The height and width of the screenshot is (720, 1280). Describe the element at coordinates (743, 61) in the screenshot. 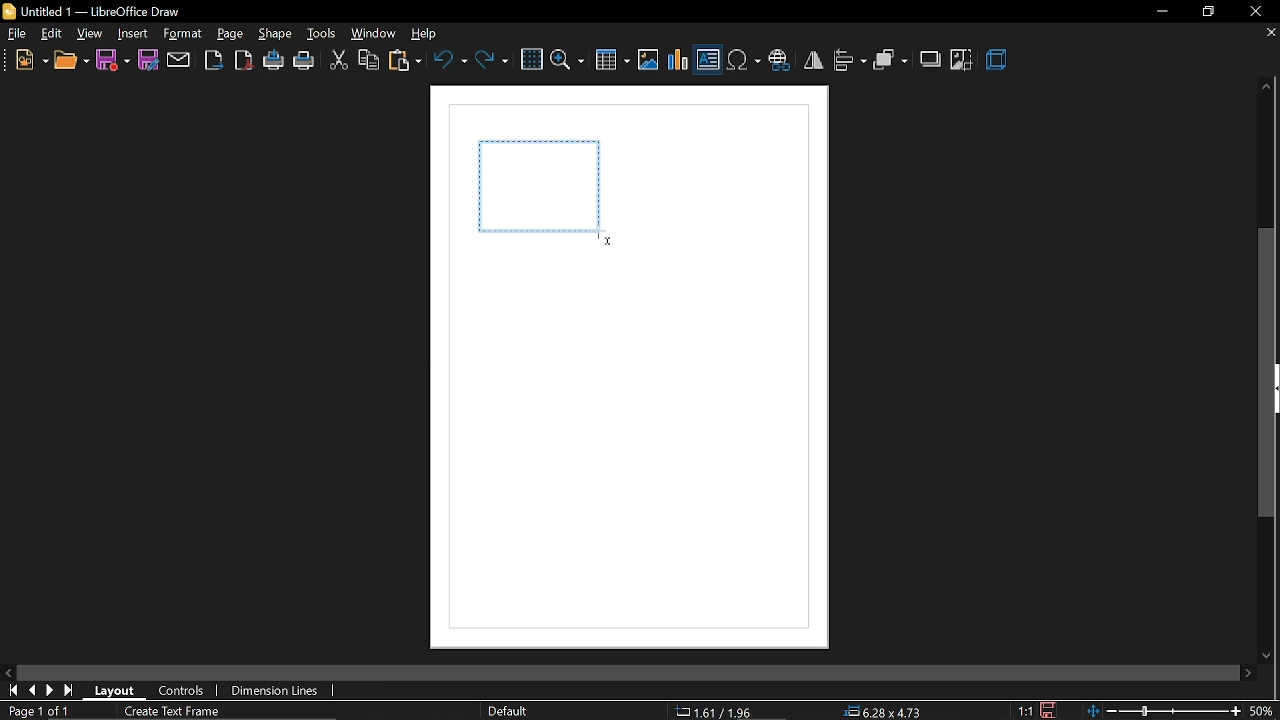

I see `insert symbol` at that location.